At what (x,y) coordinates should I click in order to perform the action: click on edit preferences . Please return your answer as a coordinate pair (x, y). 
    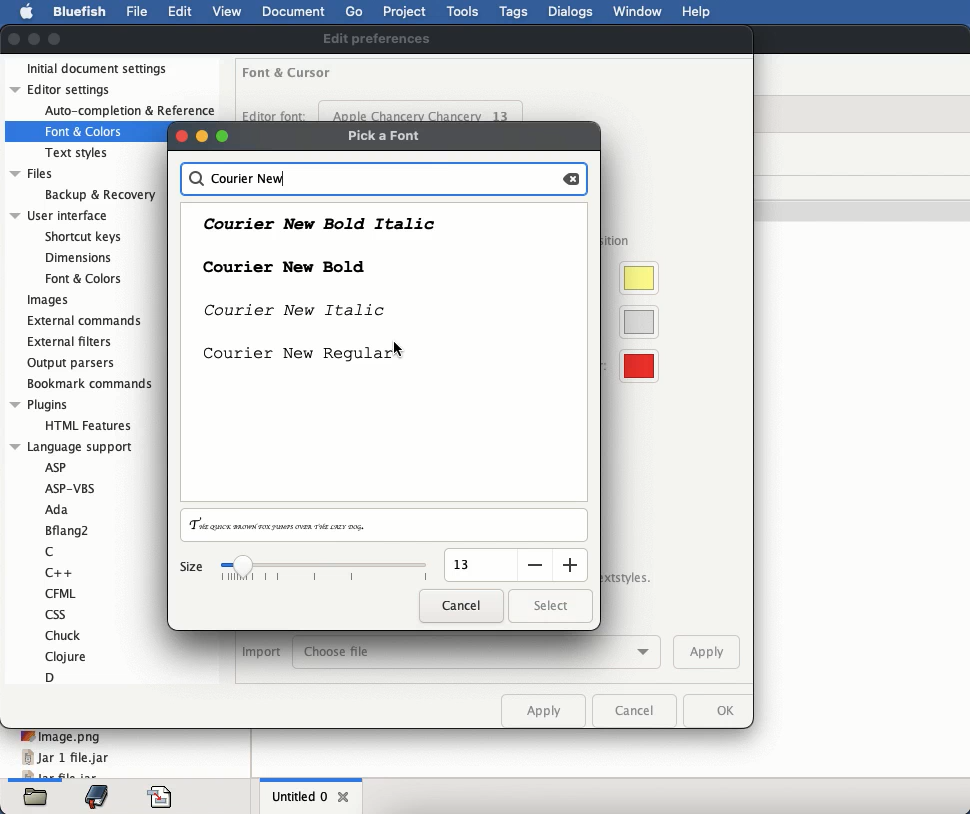
    Looking at the image, I should click on (375, 41).